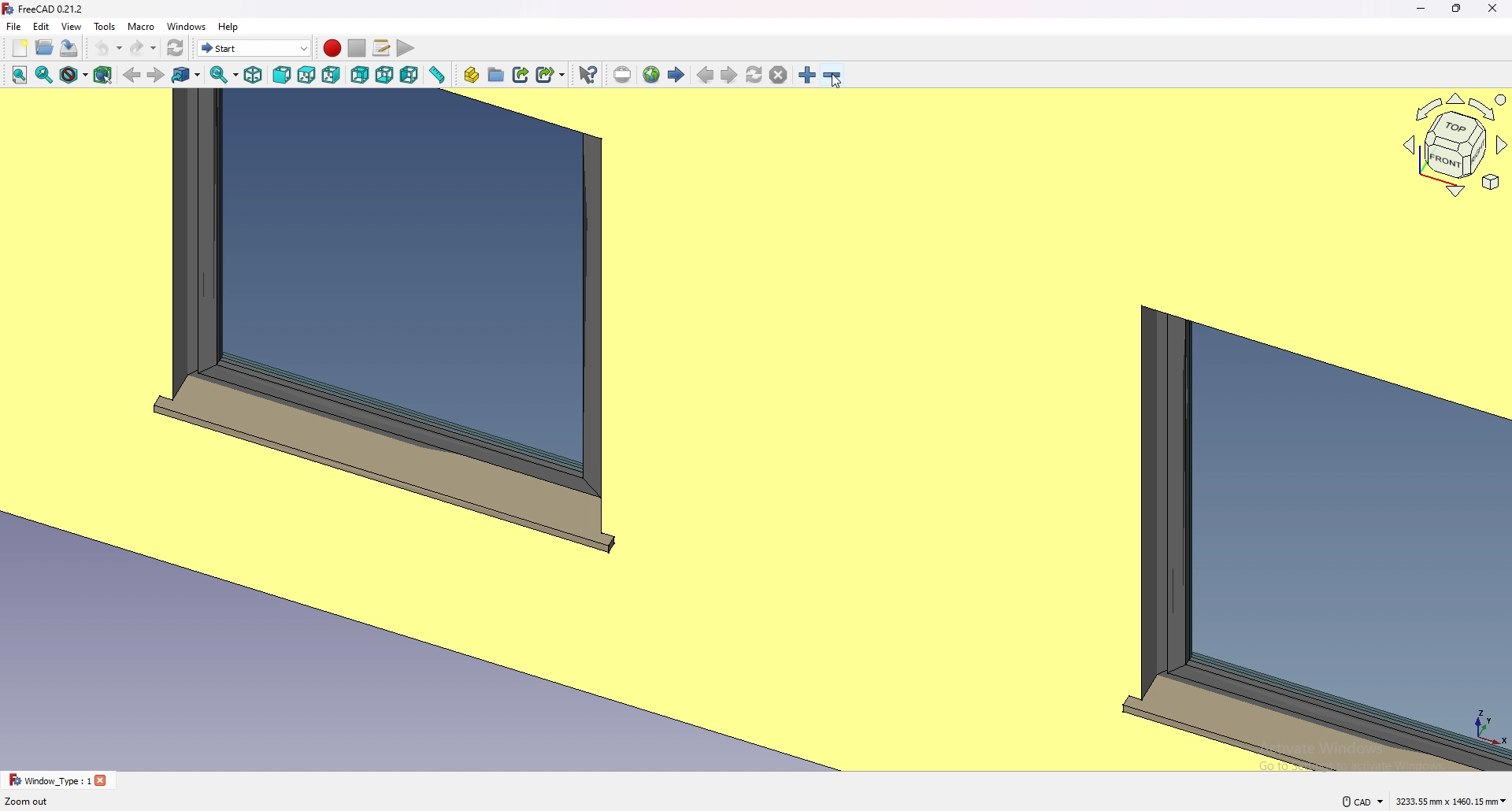 The height and width of the screenshot is (811, 1512). What do you see at coordinates (1458, 9) in the screenshot?
I see `resize` at bounding box center [1458, 9].